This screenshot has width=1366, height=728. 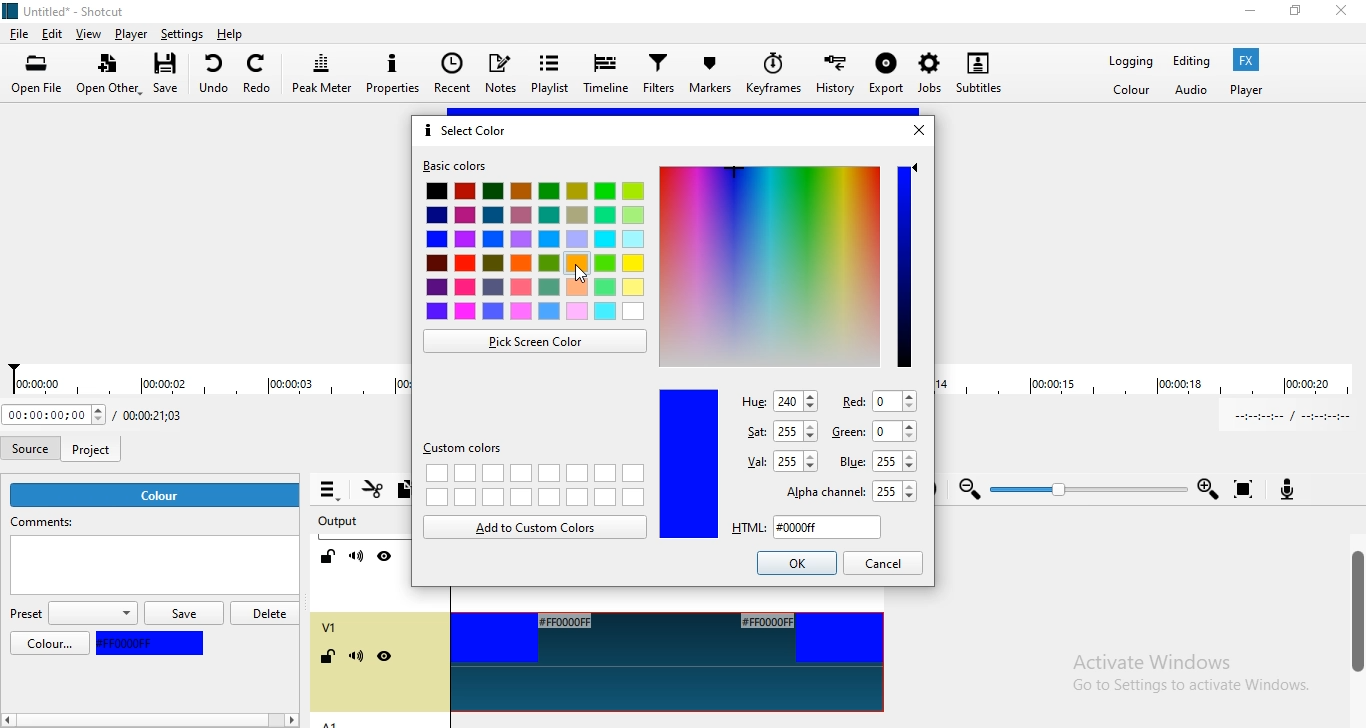 I want to click on Activate Windows
Go to Settings to activate Windows., so click(x=1187, y=676).